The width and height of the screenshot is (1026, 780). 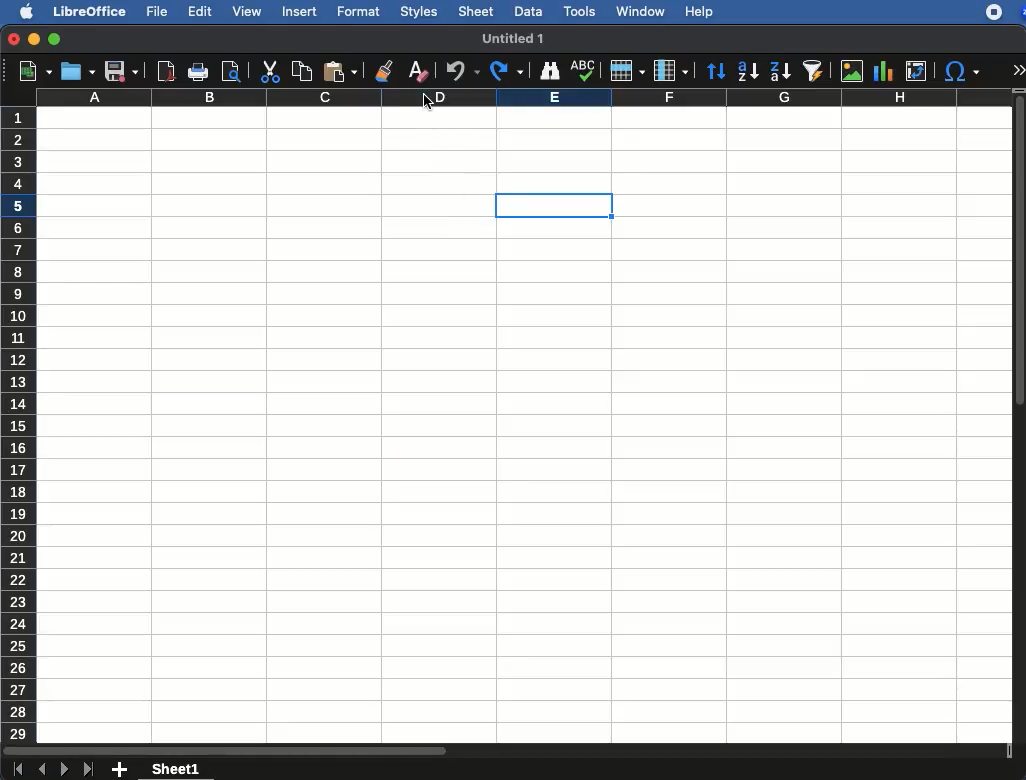 I want to click on sheet1, so click(x=177, y=770).